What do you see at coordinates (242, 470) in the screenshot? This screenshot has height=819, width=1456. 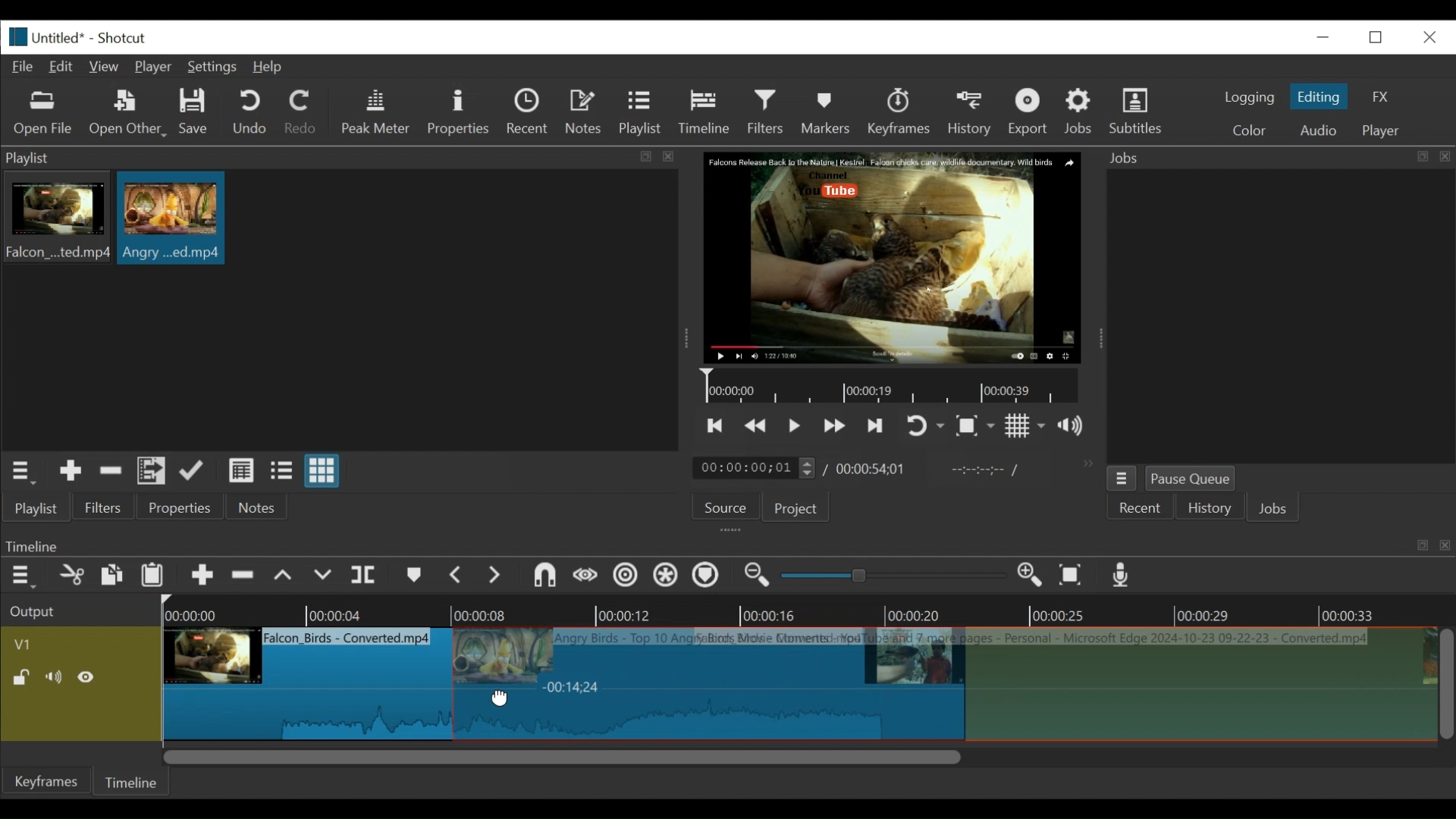 I see `view as details` at bounding box center [242, 470].